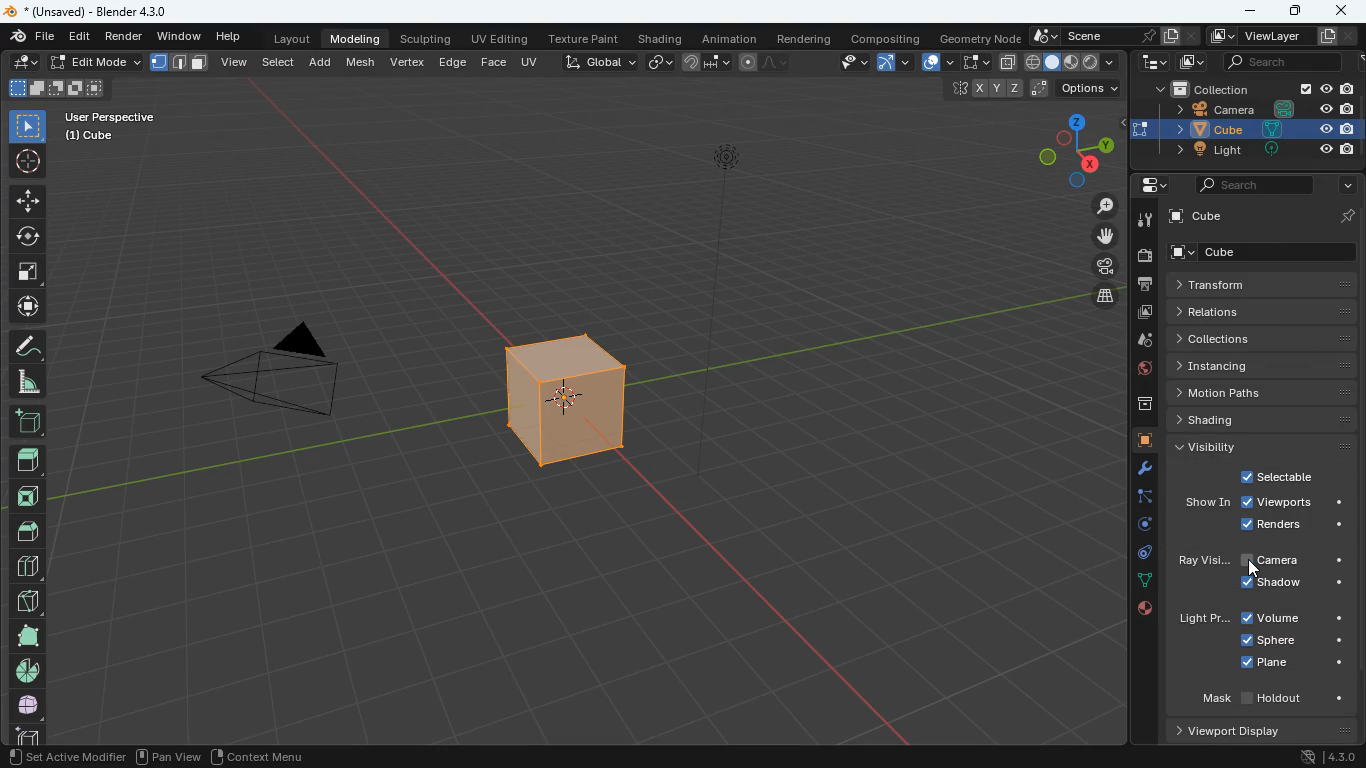  Describe the element at coordinates (452, 64) in the screenshot. I see `edge` at that location.